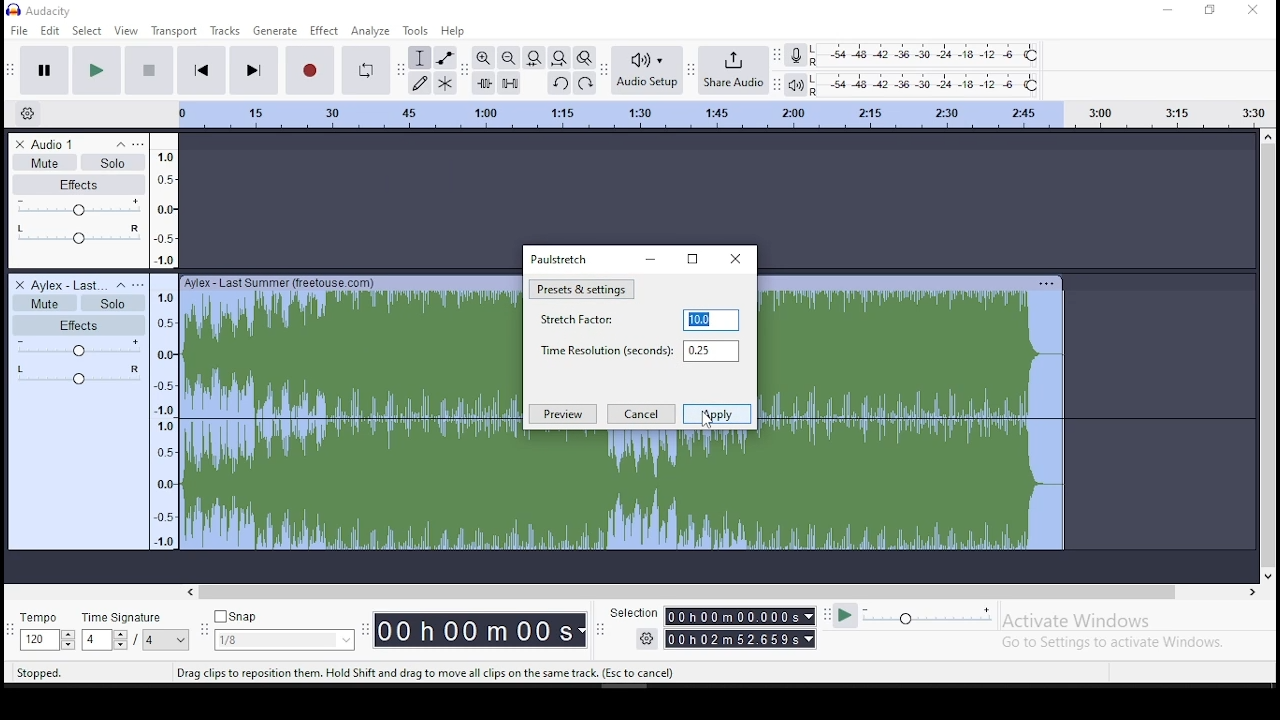 This screenshot has width=1280, height=720. What do you see at coordinates (44, 162) in the screenshot?
I see `mute/unmute` at bounding box center [44, 162].